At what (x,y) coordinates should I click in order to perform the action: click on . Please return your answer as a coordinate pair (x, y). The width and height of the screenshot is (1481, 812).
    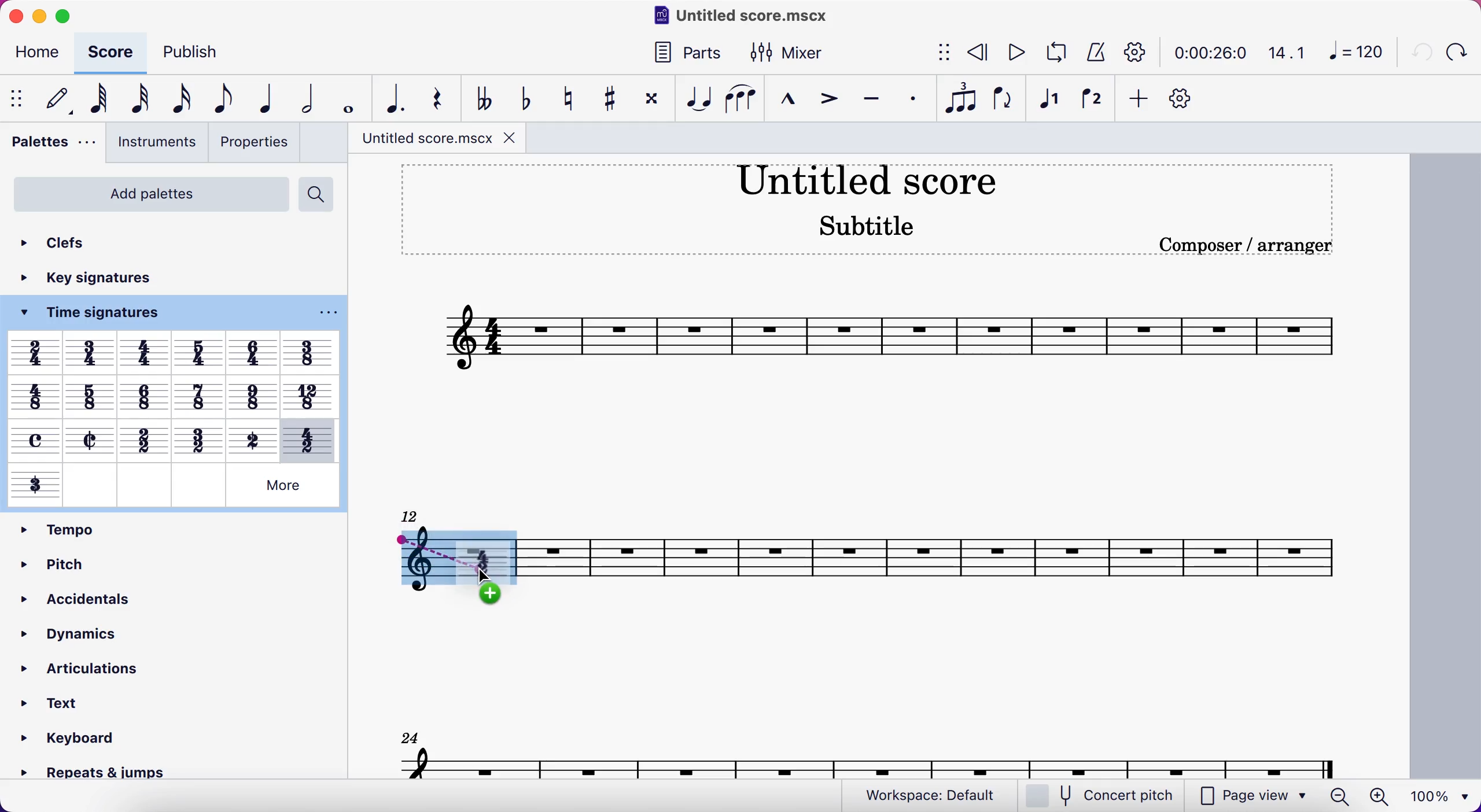
    Looking at the image, I should click on (283, 485).